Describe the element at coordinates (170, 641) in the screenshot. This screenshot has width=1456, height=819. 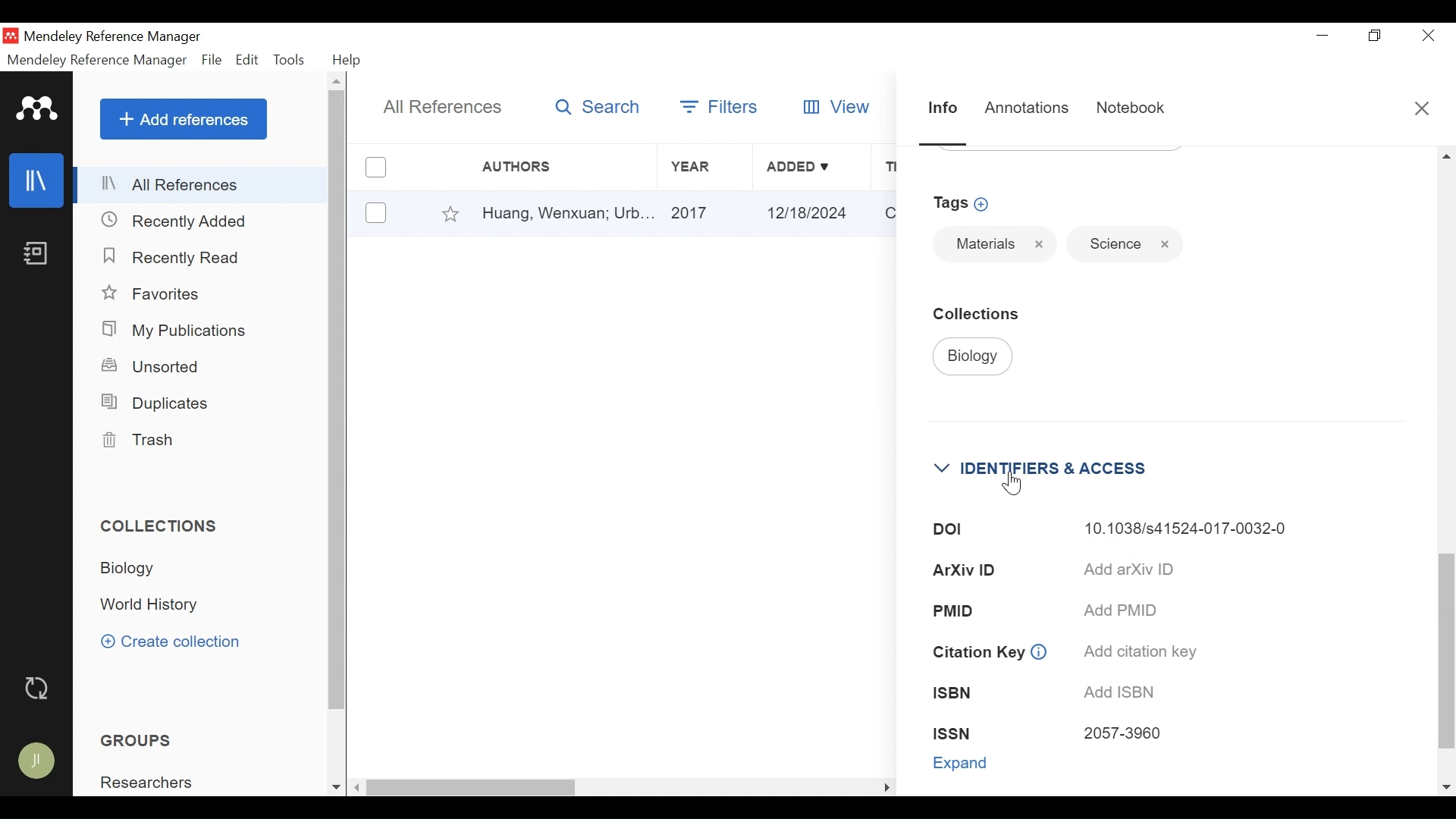
I see `Create Collection` at that location.